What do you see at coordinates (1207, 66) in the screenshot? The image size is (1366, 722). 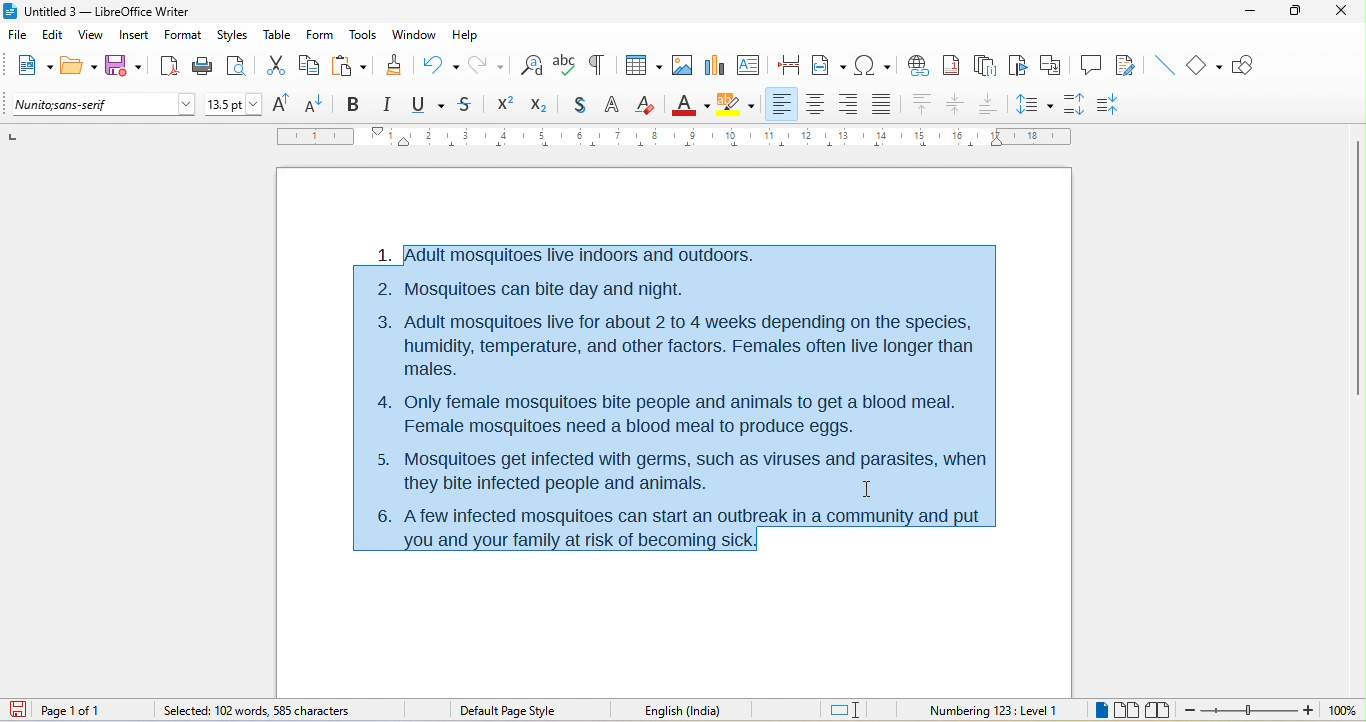 I see `basic shape` at bounding box center [1207, 66].